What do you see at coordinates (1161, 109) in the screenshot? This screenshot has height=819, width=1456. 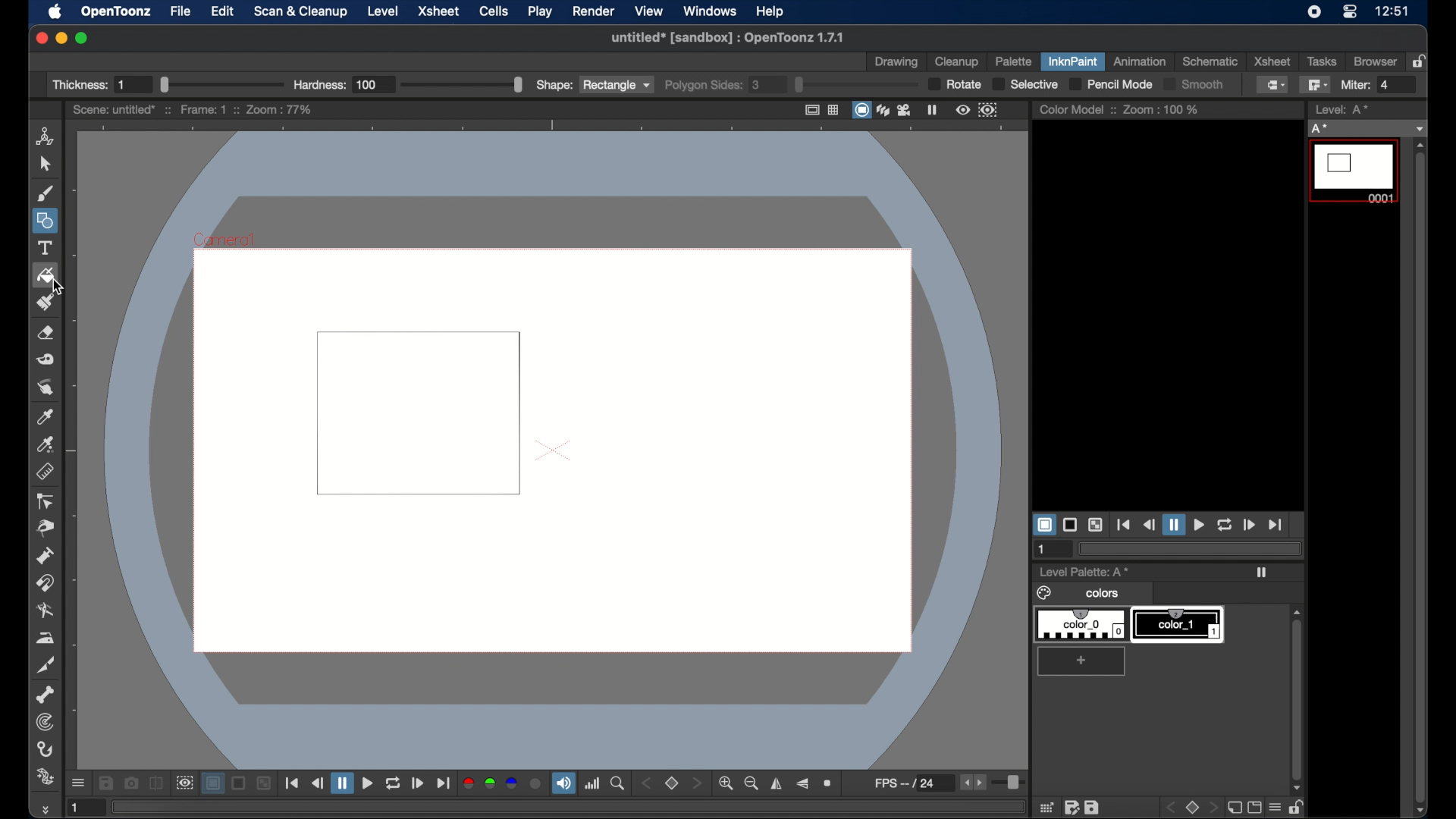 I see `zoom : 100%` at bounding box center [1161, 109].